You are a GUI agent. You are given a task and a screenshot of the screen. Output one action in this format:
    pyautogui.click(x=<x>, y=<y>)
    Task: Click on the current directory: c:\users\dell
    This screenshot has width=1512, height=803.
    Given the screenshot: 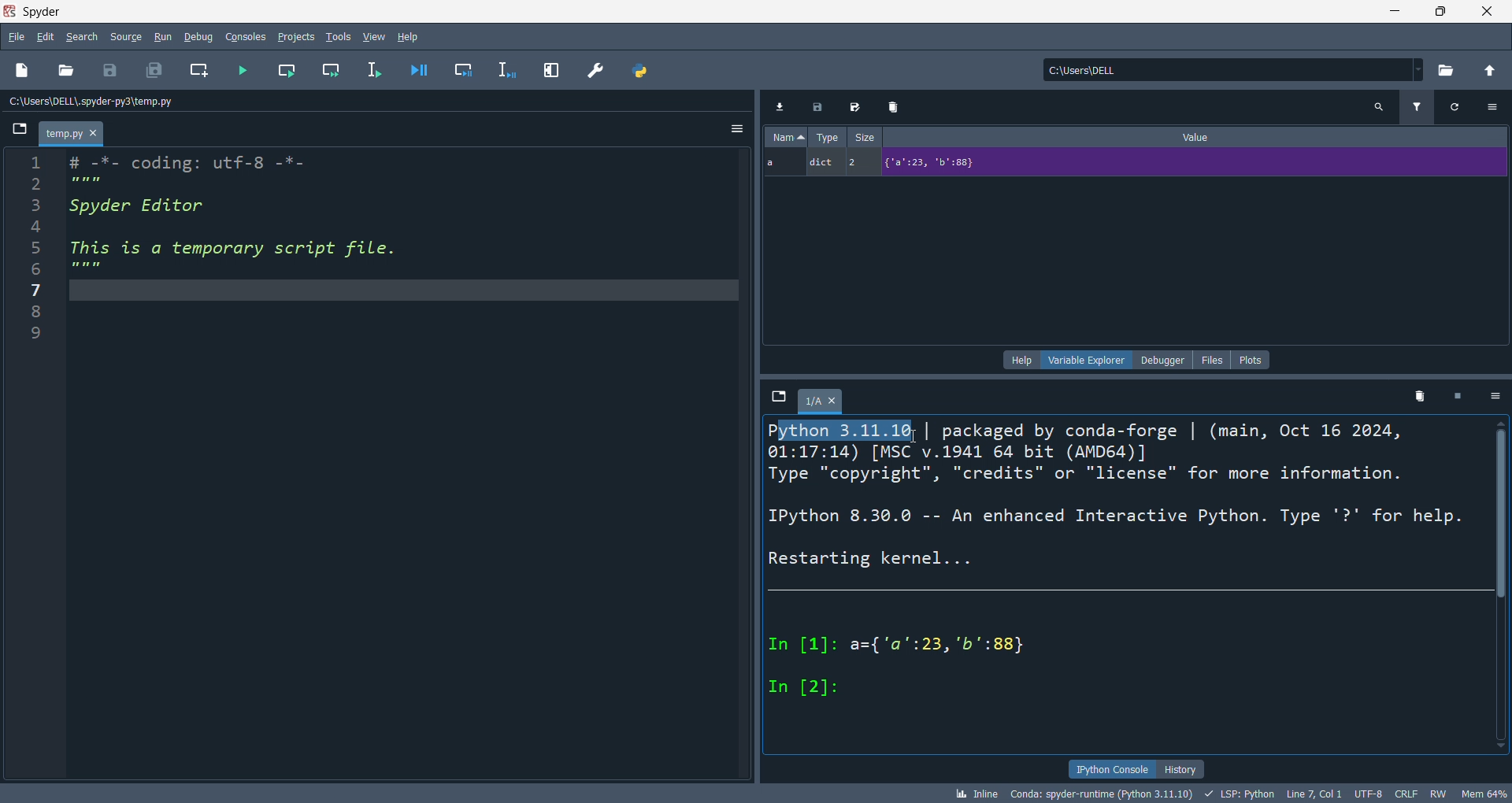 What is the action you would take?
    pyautogui.click(x=1236, y=71)
    